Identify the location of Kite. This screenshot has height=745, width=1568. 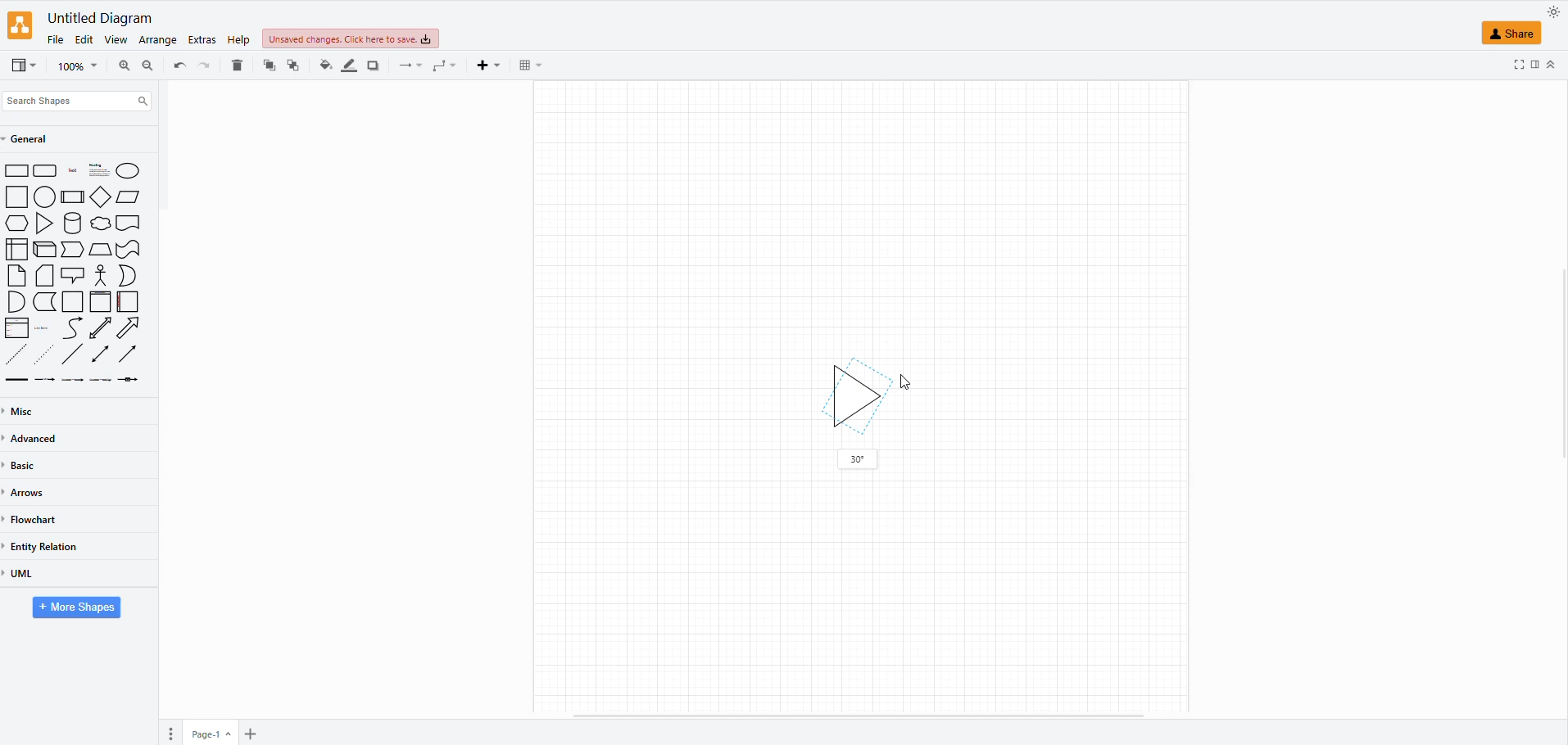
(102, 196).